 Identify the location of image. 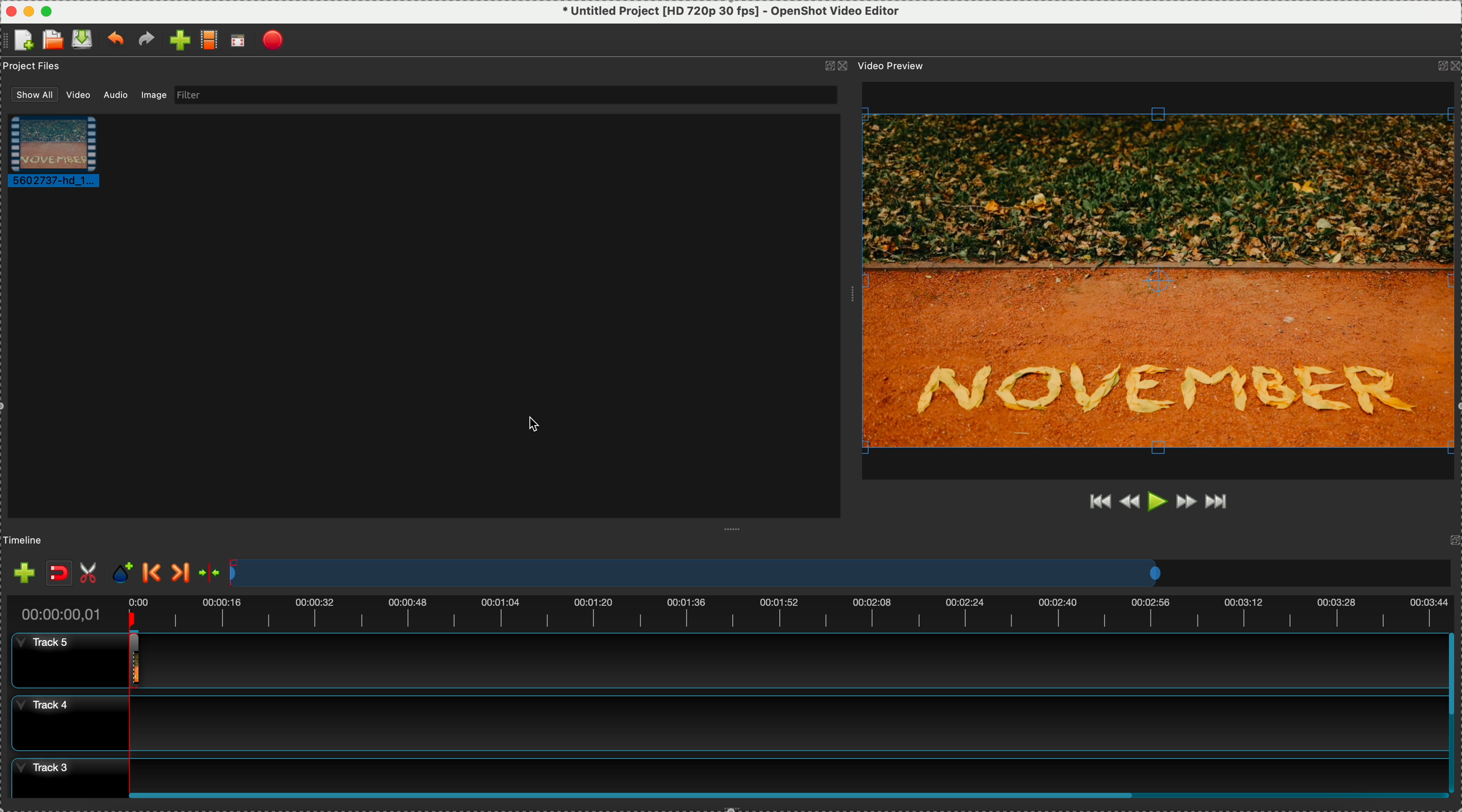
(156, 96).